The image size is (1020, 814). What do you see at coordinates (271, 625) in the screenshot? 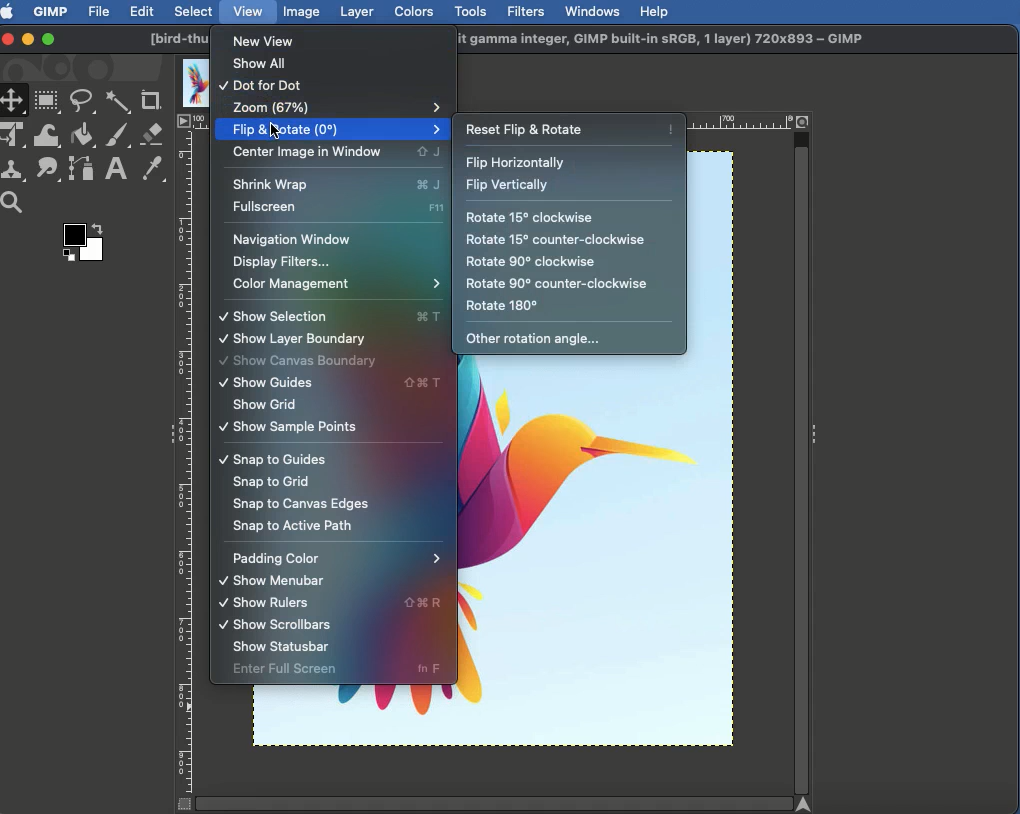
I see `Show scrollbars` at bounding box center [271, 625].